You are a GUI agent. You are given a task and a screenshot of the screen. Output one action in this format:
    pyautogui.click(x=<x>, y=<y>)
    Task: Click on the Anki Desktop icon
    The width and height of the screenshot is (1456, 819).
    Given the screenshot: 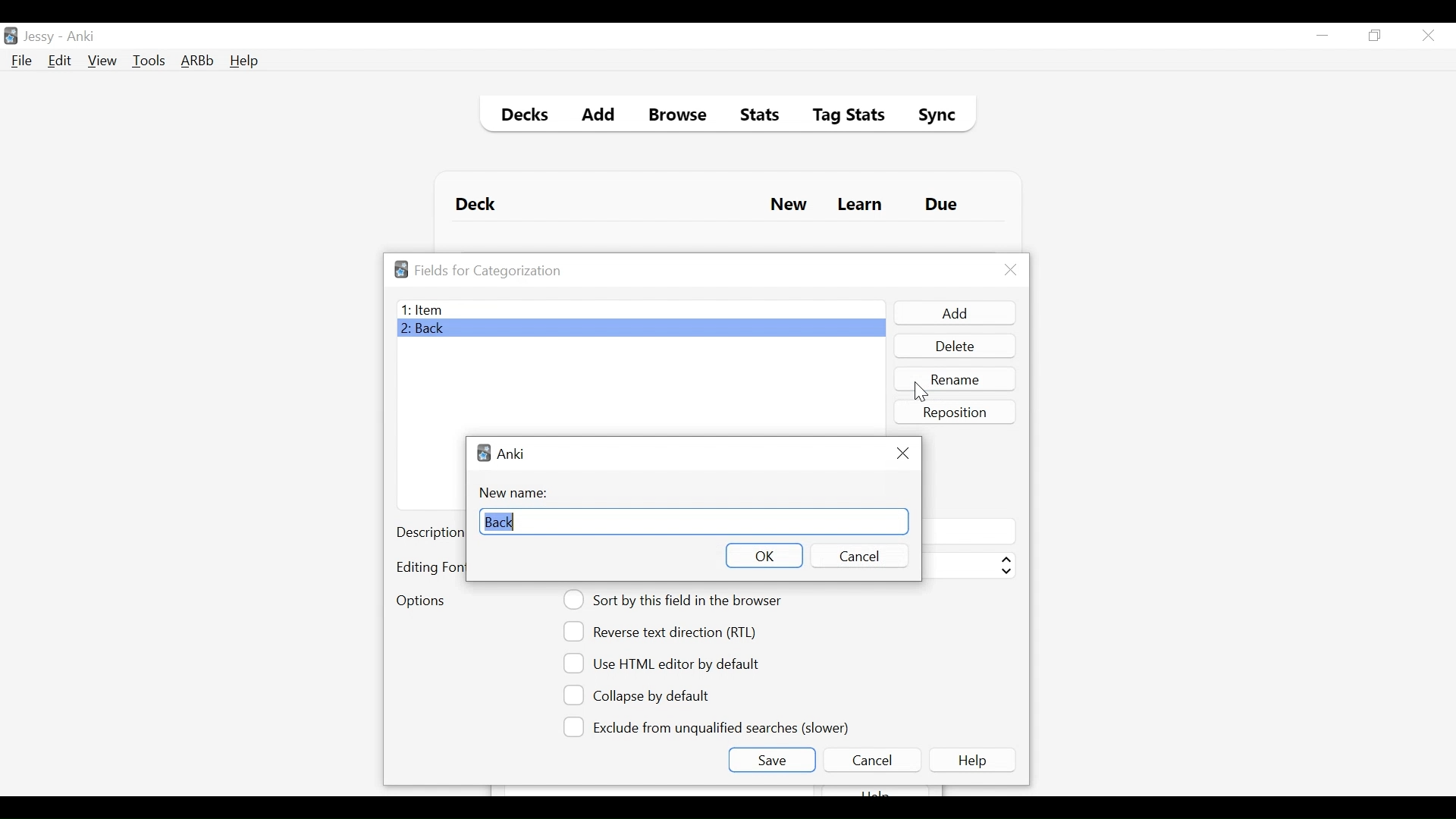 What is the action you would take?
    pyautogui.click(x=11, y=36)
    